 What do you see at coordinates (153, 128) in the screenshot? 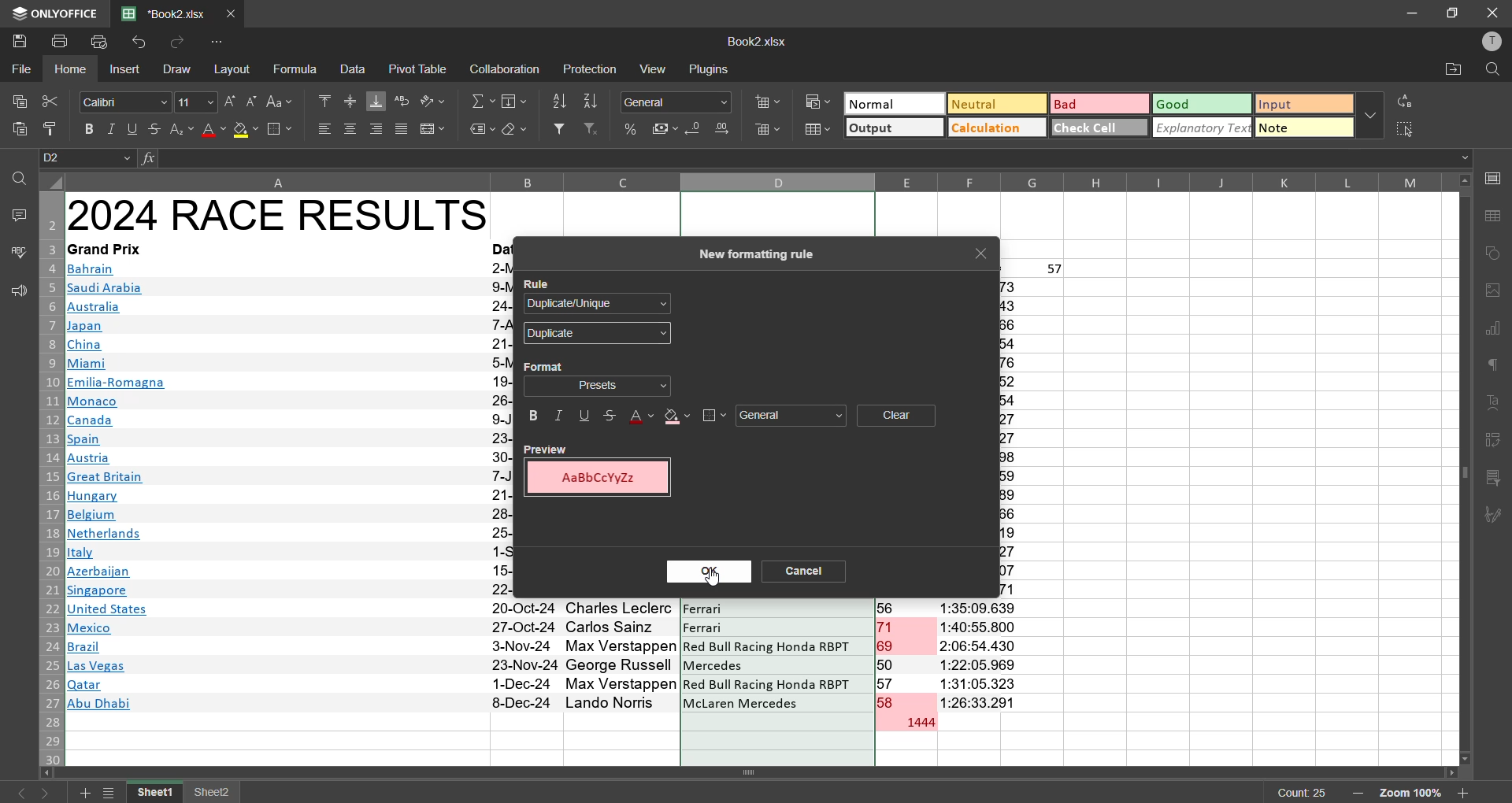
I see `strikethrough` at bounding box center [153, 128].